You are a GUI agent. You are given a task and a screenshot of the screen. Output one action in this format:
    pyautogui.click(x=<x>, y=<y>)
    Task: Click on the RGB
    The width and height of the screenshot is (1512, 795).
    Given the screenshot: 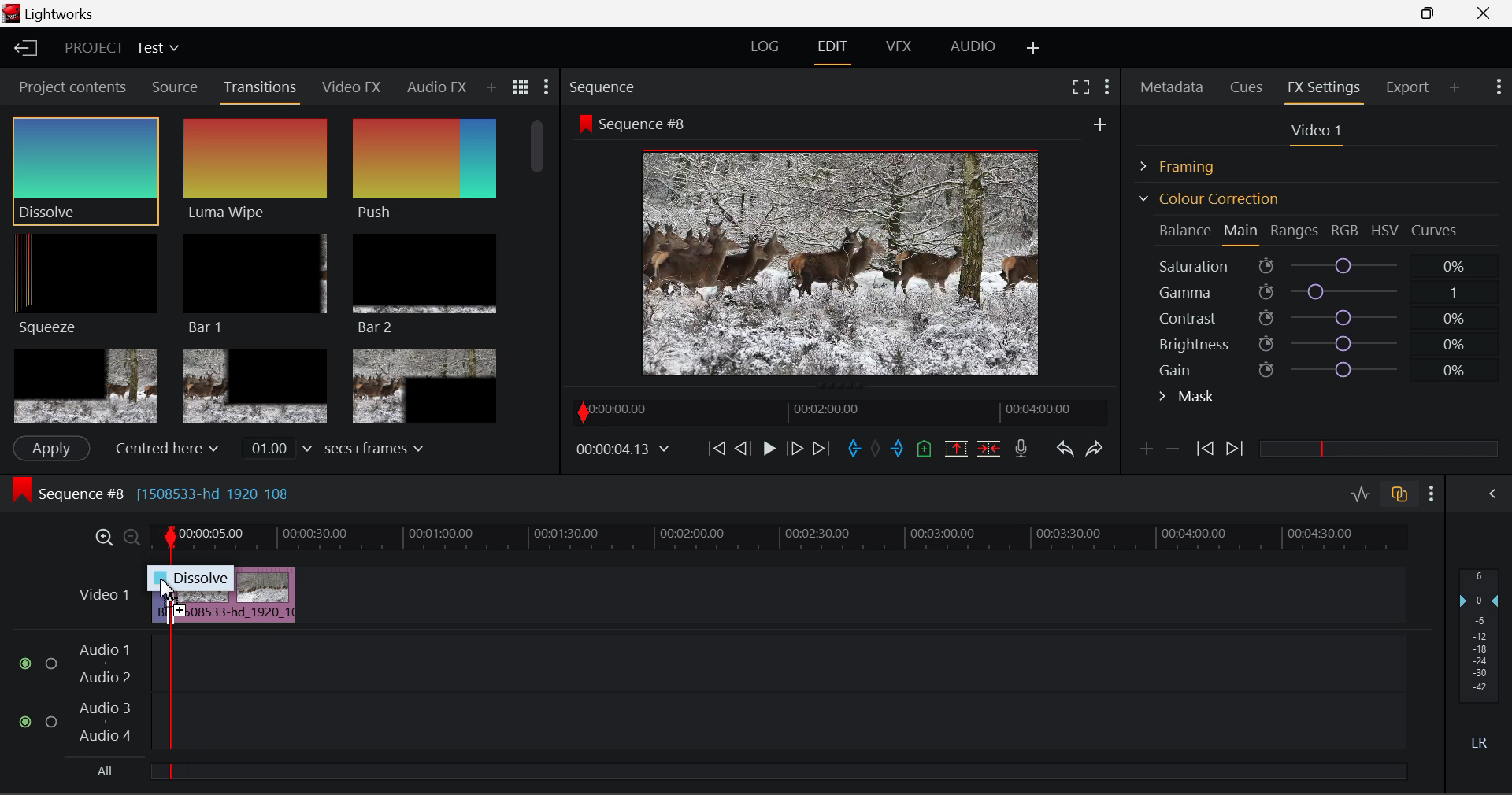 What is the action you would take?
    pyautogui.click(x=1346, y=231)
    